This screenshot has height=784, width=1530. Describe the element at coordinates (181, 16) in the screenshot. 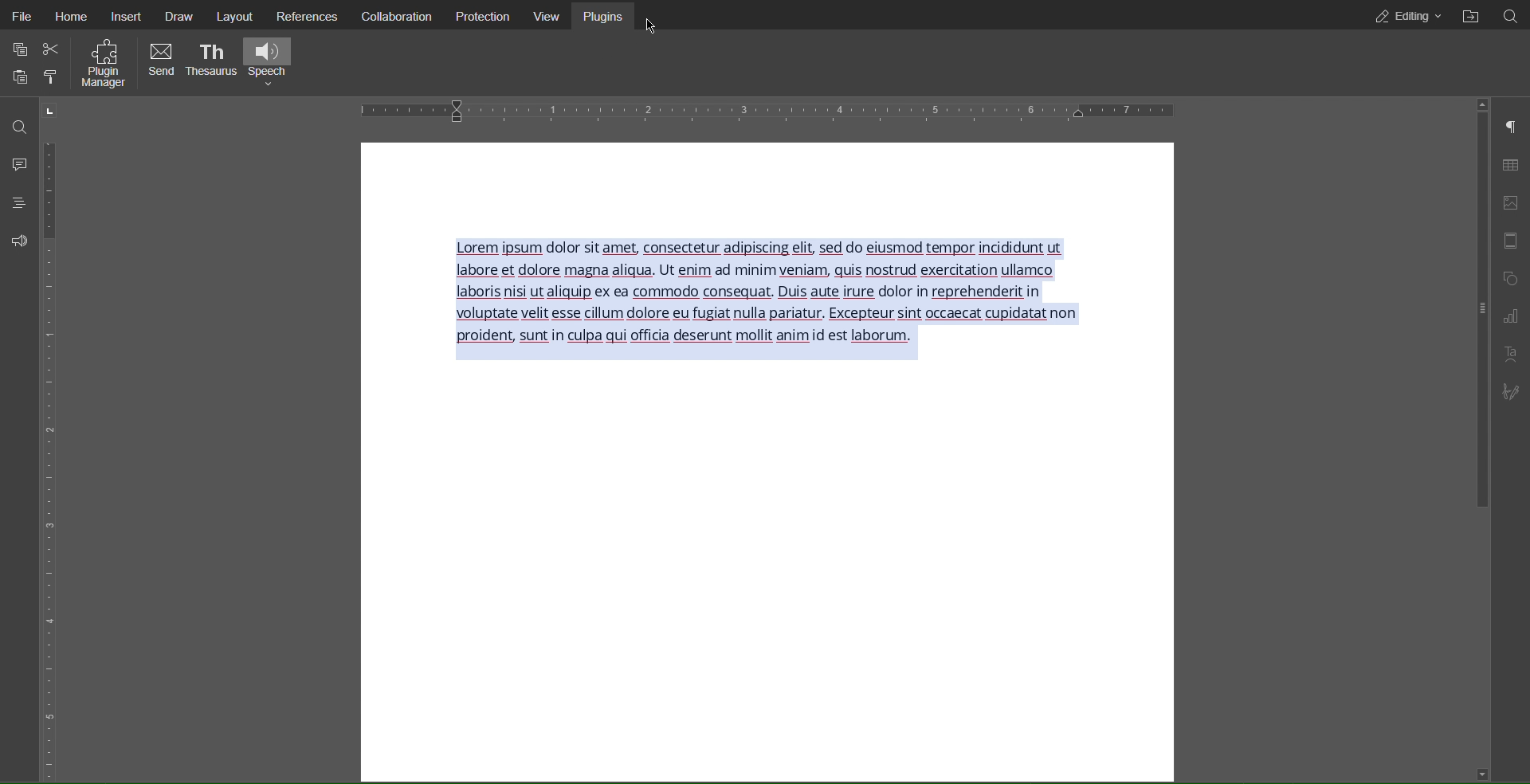

I see `Draw` at that location.